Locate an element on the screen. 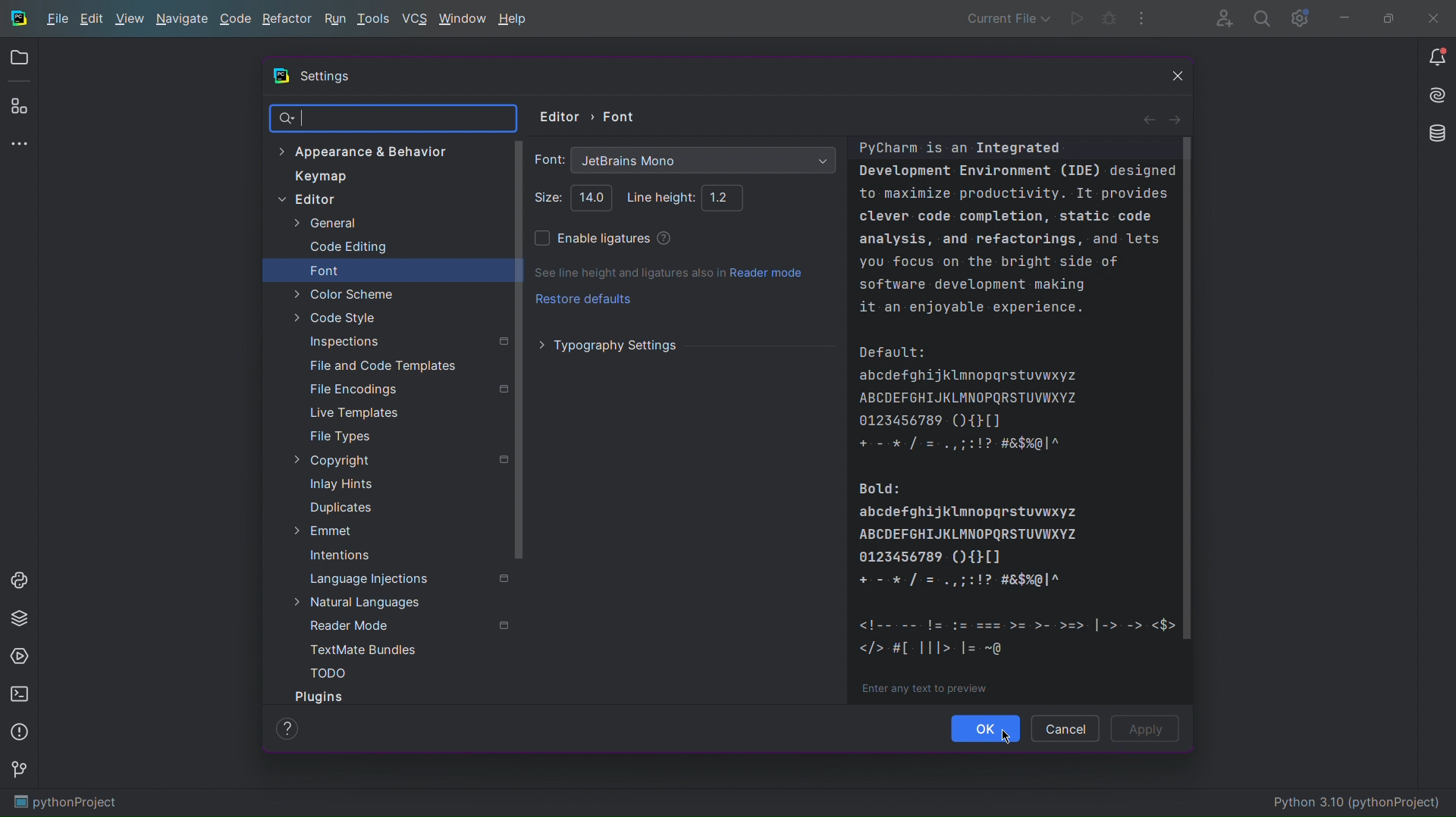 This screenshot has width=1456, height=817. Search Bar is located at coordinates (394, 119).